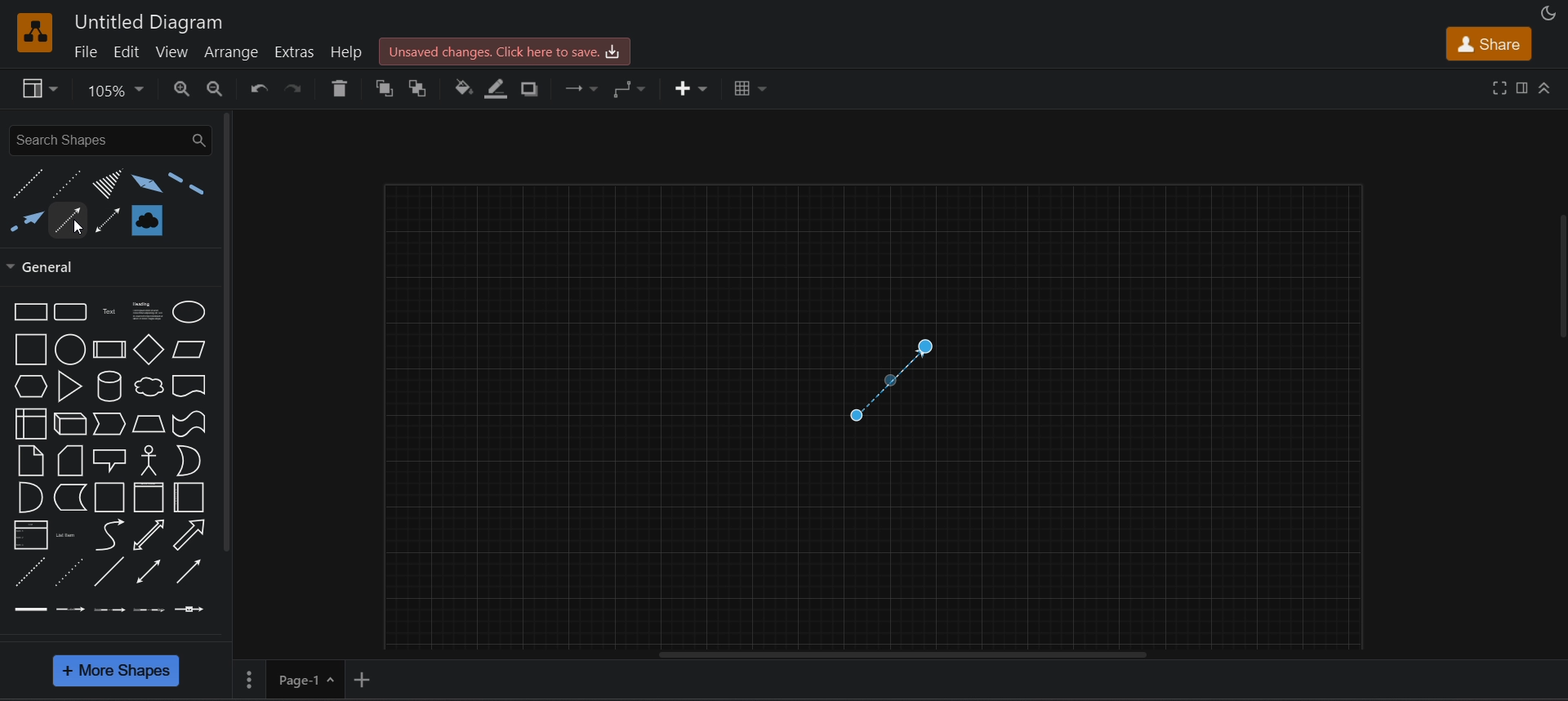 Image resolution: width=1568 pixels, height=701 pixels. What do you see at coordinates (1549, 13) in the screenshot?
I see `appearance` at bounding box center [1549, 13].